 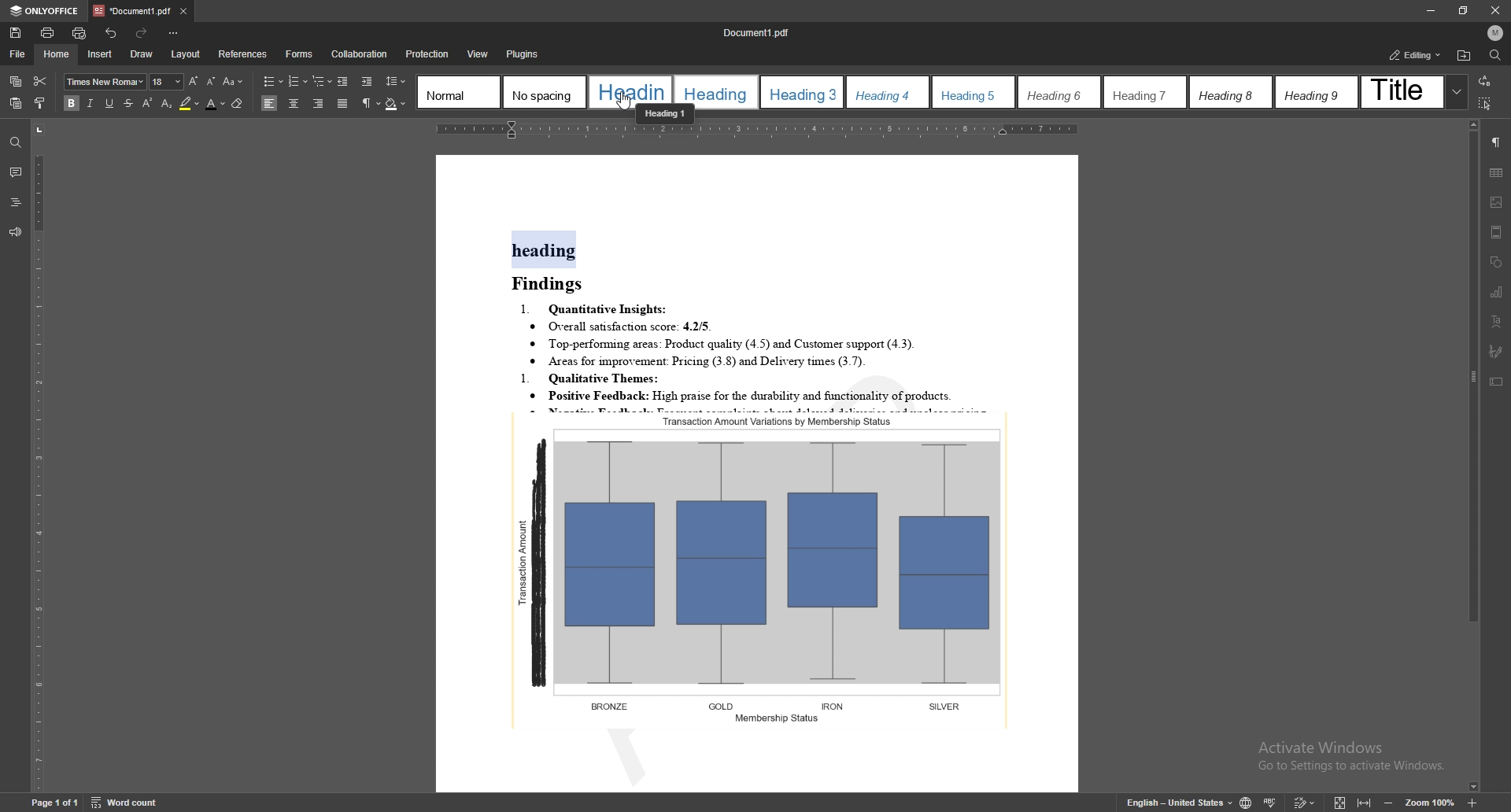 What do you see at coordinates (41, 805) in the screenshot?
I see `Page 1 of 1` at bounding box center [41, 805].